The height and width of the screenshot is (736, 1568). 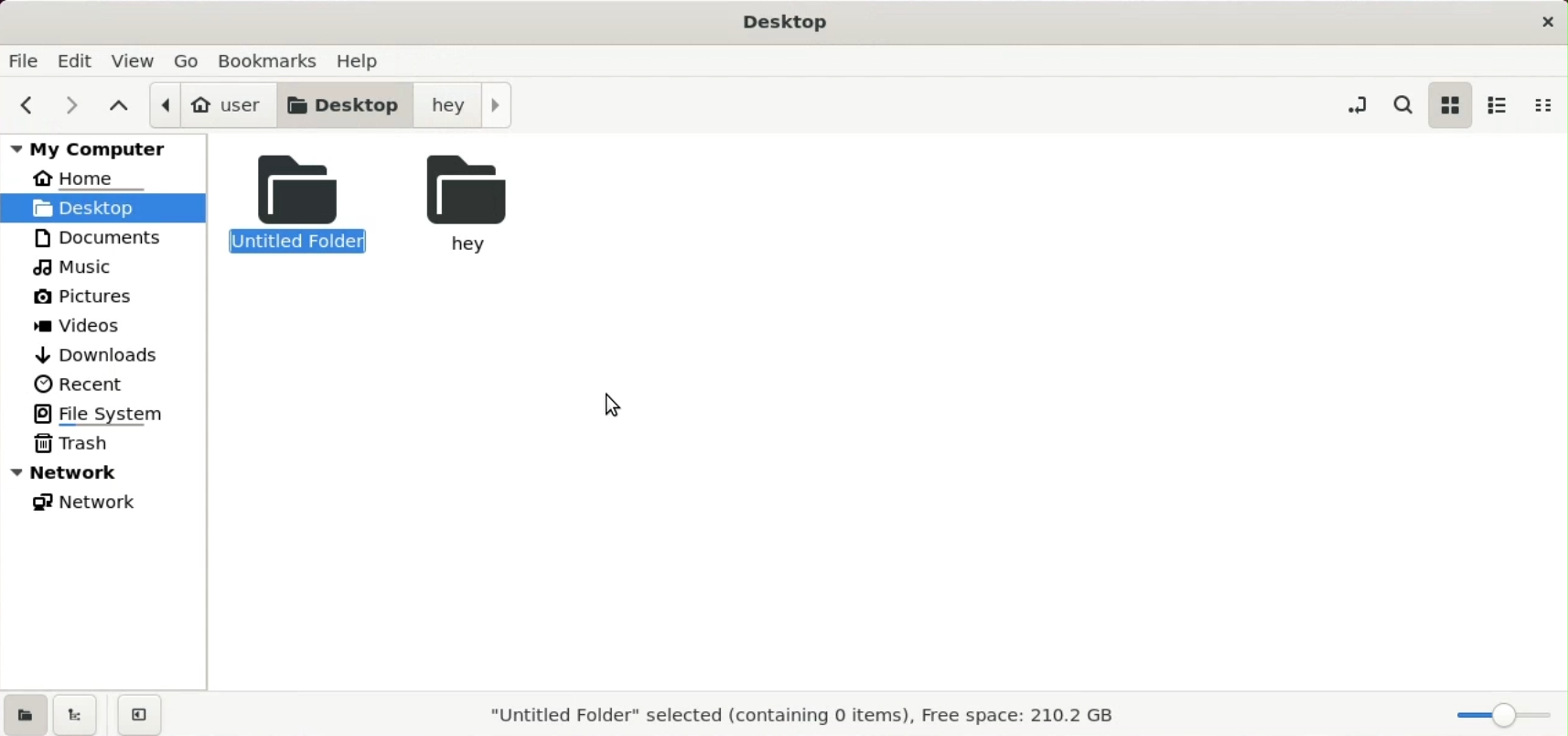 What do you see at coordinates (1497, 104) in the screenshot?
I see `list view` at bounding box center [1497, 104].